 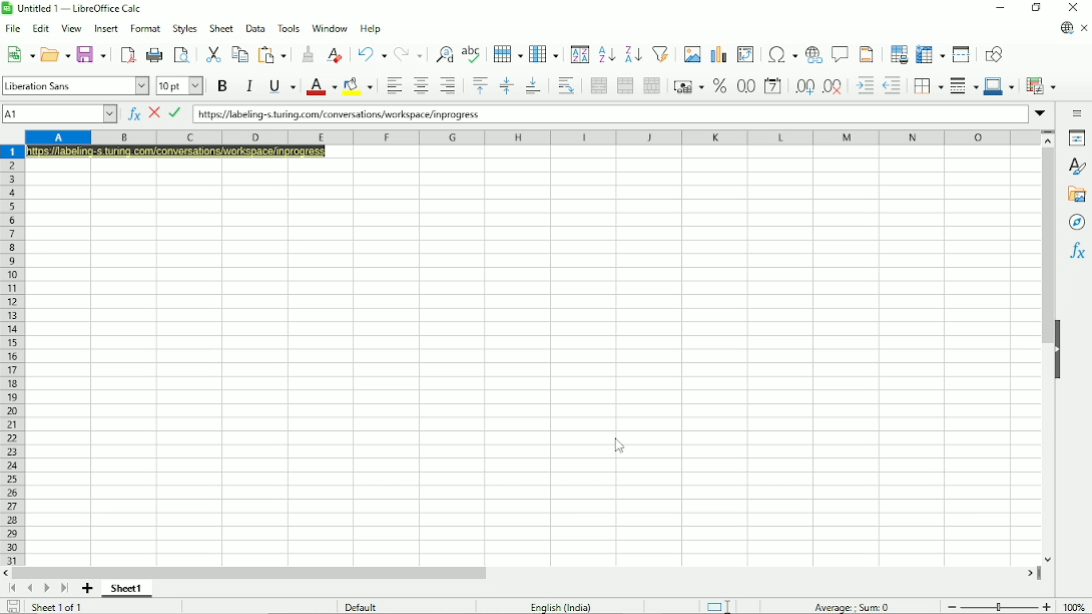 I want to click on Cut, so click(x=213, y=52).